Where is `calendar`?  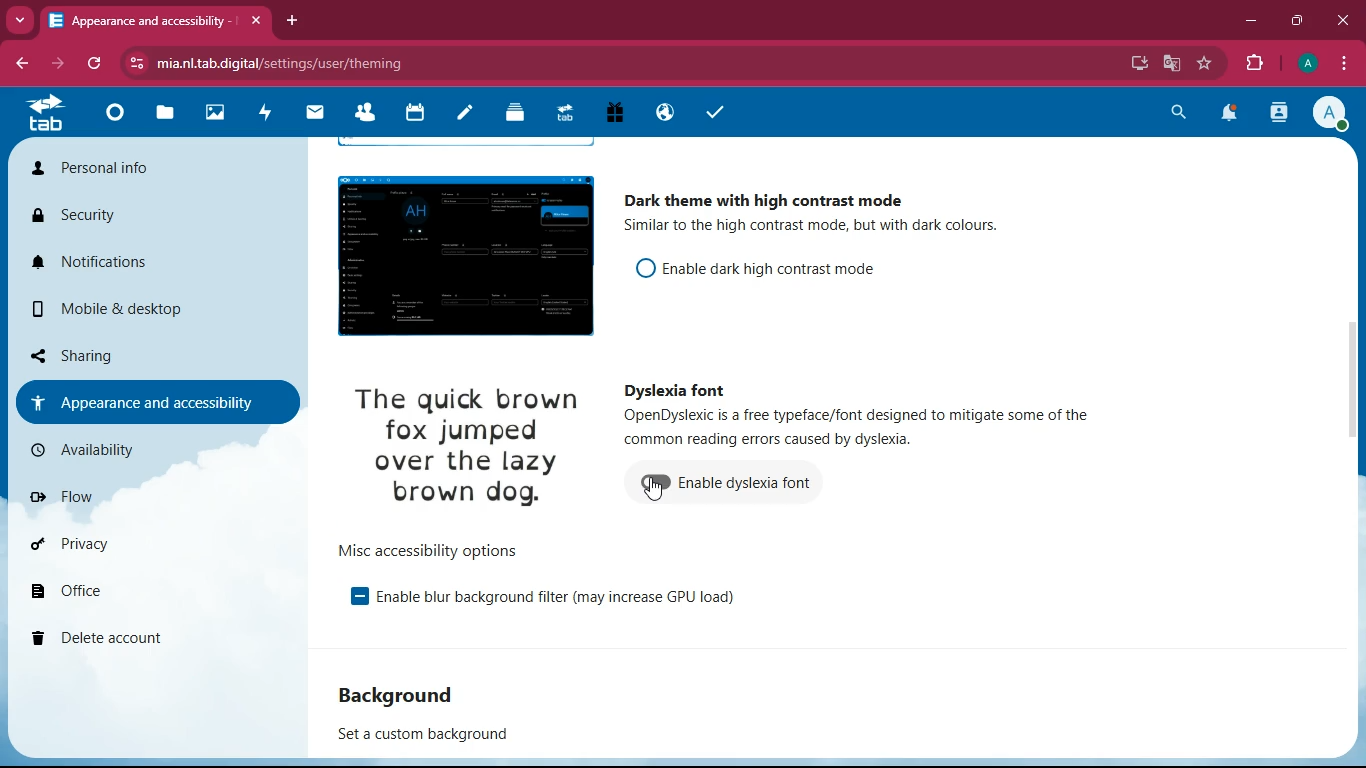
calendar is located at coordinates (417, 112).